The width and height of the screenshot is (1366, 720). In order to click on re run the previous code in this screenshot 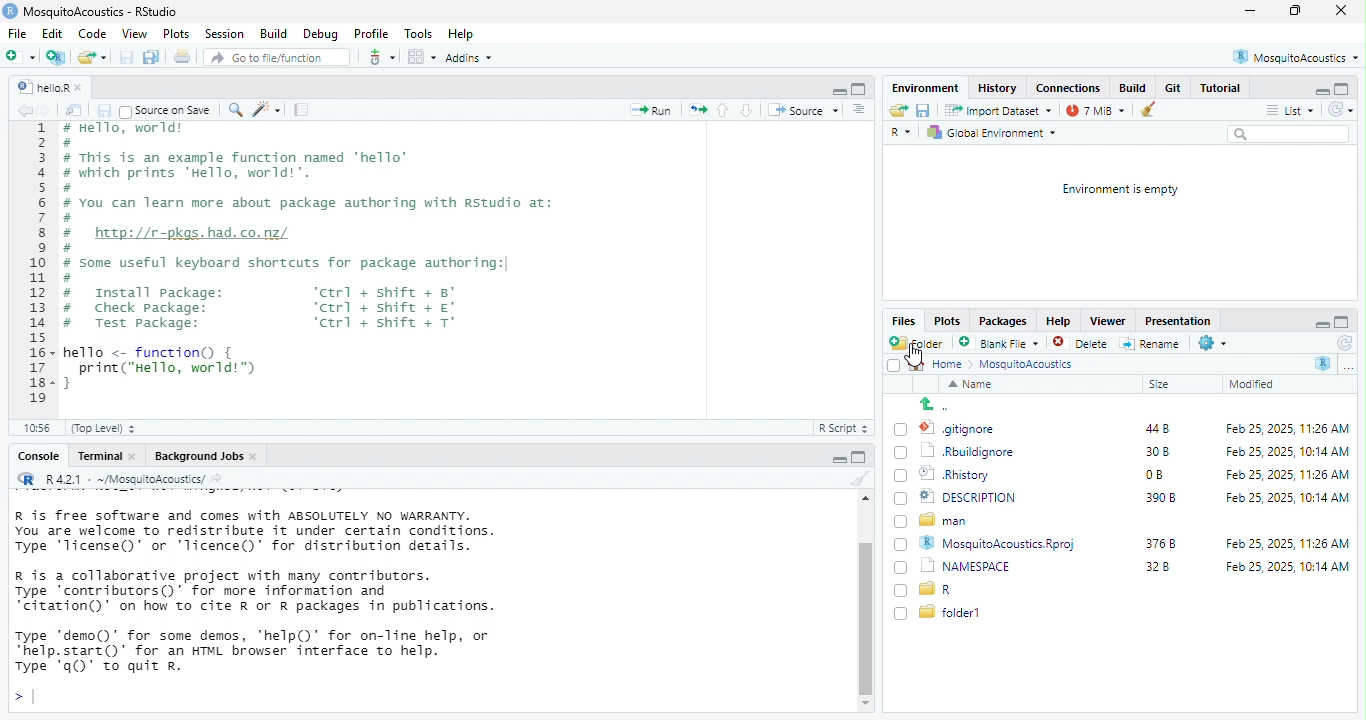, I will do `click(695, 110)`.